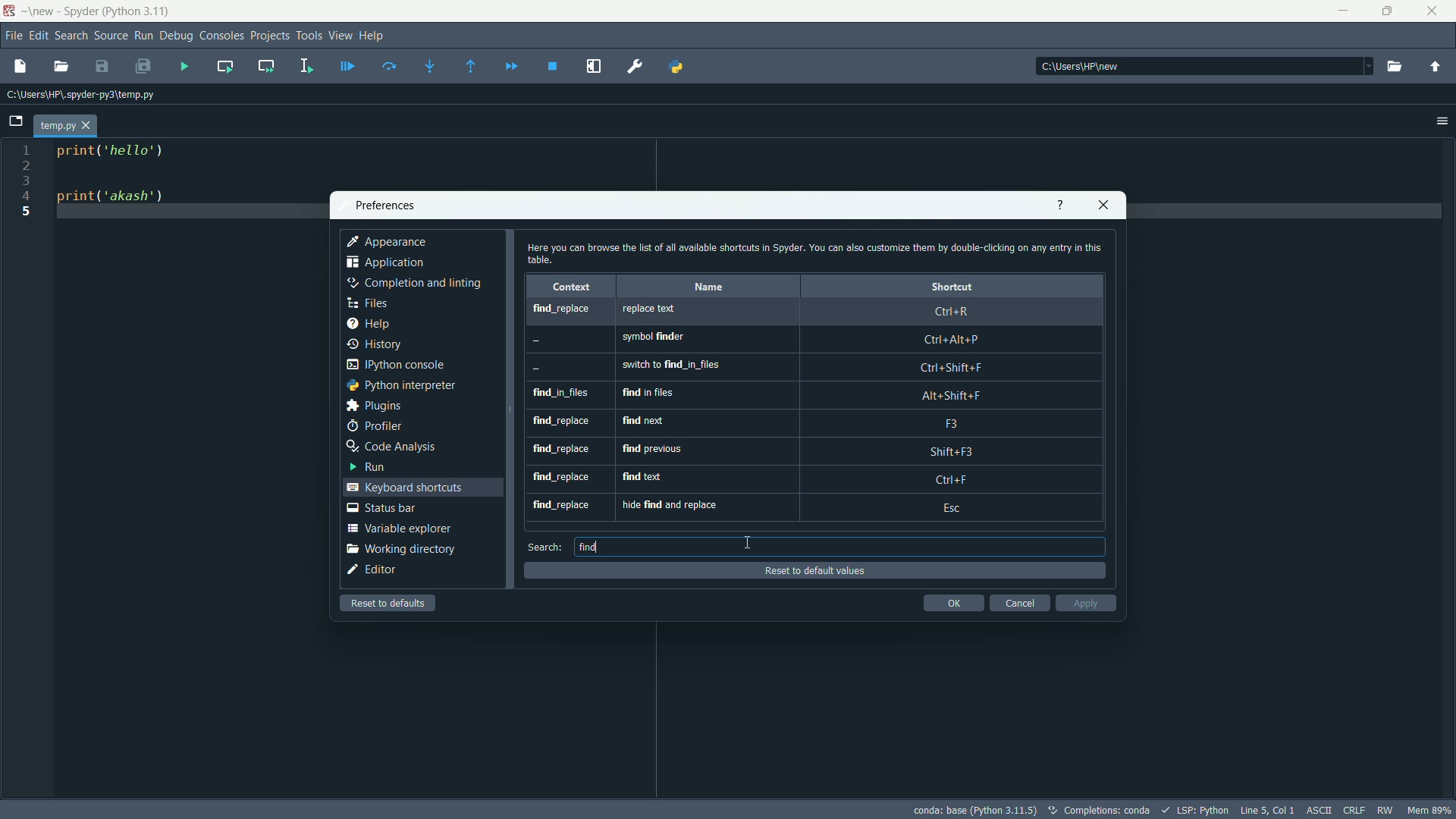  What do you see at coordinates (220, 35) in the screenshot?
I see `consoles menu` at bounding box center [220, 35].